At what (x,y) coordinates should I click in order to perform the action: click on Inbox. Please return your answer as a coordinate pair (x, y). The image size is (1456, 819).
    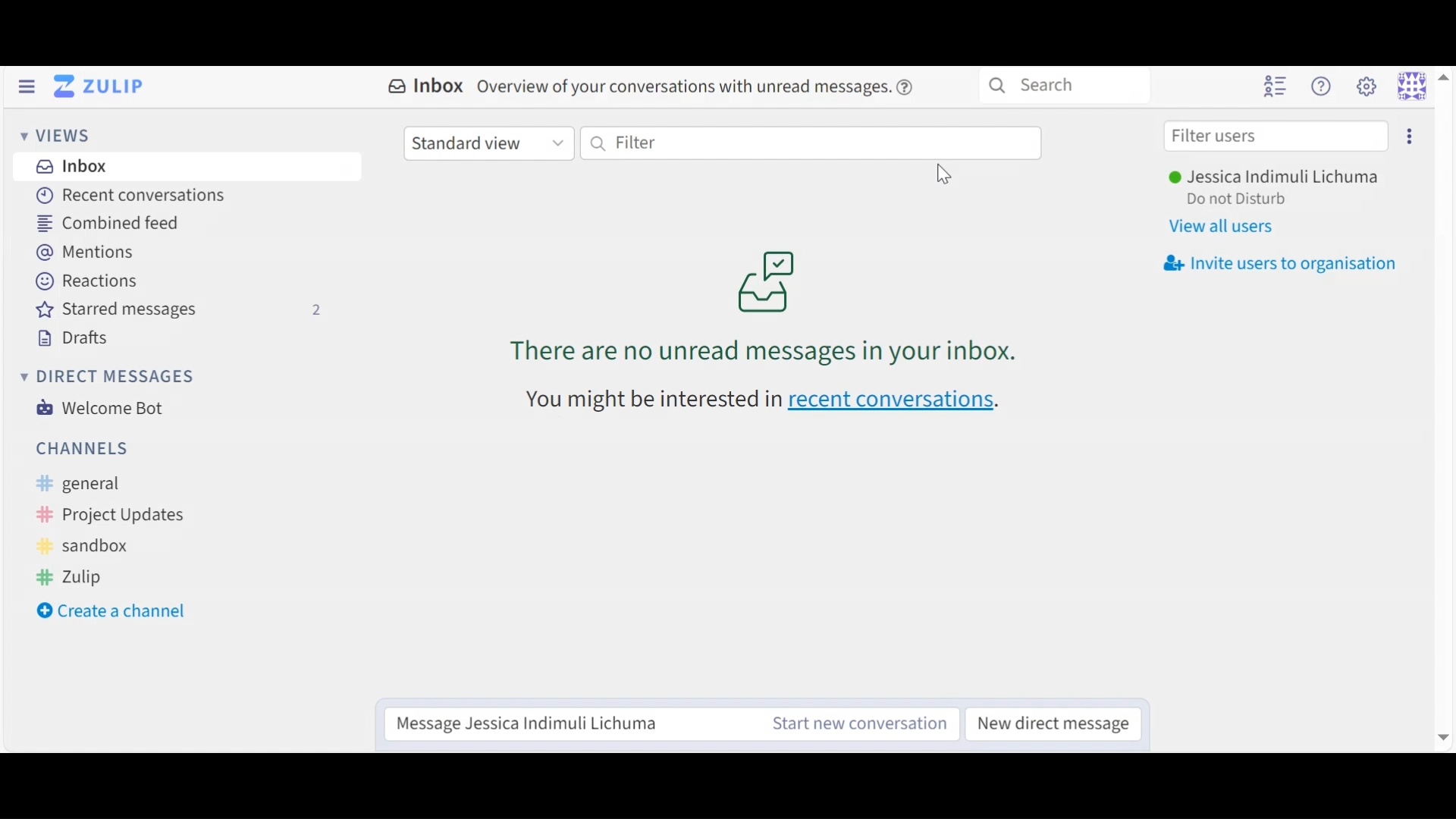
    Looking at the image, I should click on (653, 88).